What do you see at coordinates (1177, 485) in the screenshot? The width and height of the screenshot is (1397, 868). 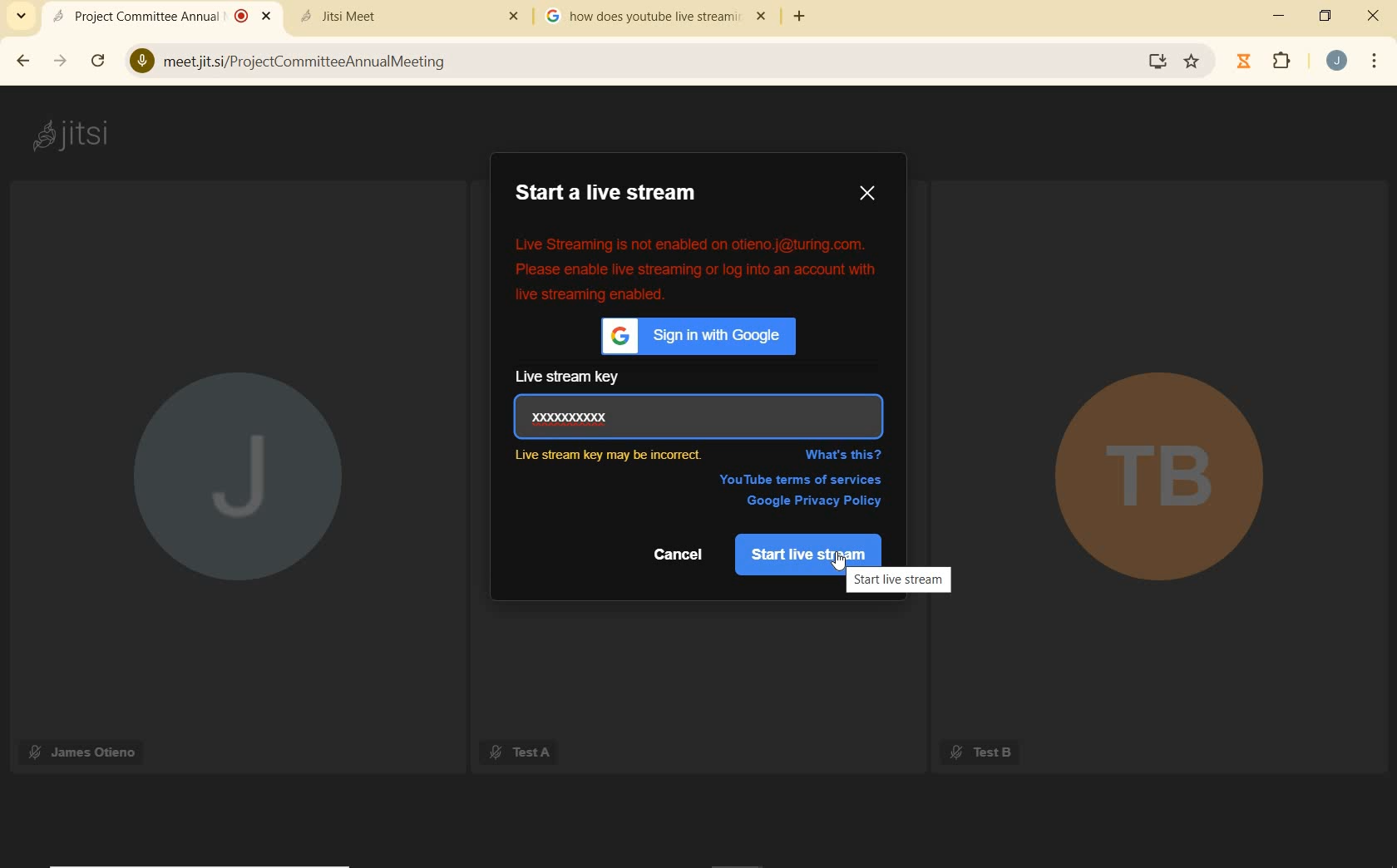 I see `TB` at bounding box center [1177, 485].